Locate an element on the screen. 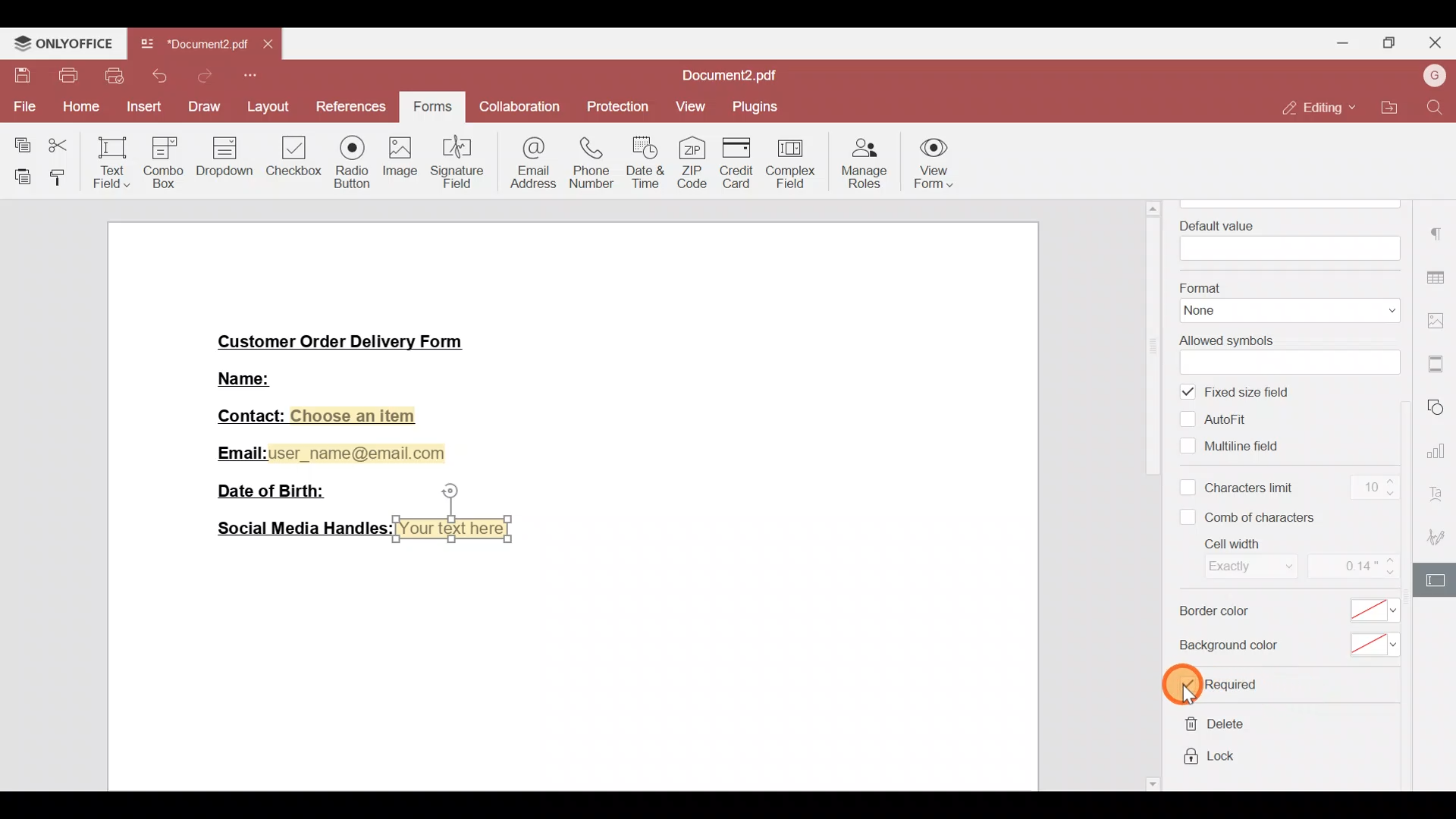  Layout is located at coordinates (266, 105).